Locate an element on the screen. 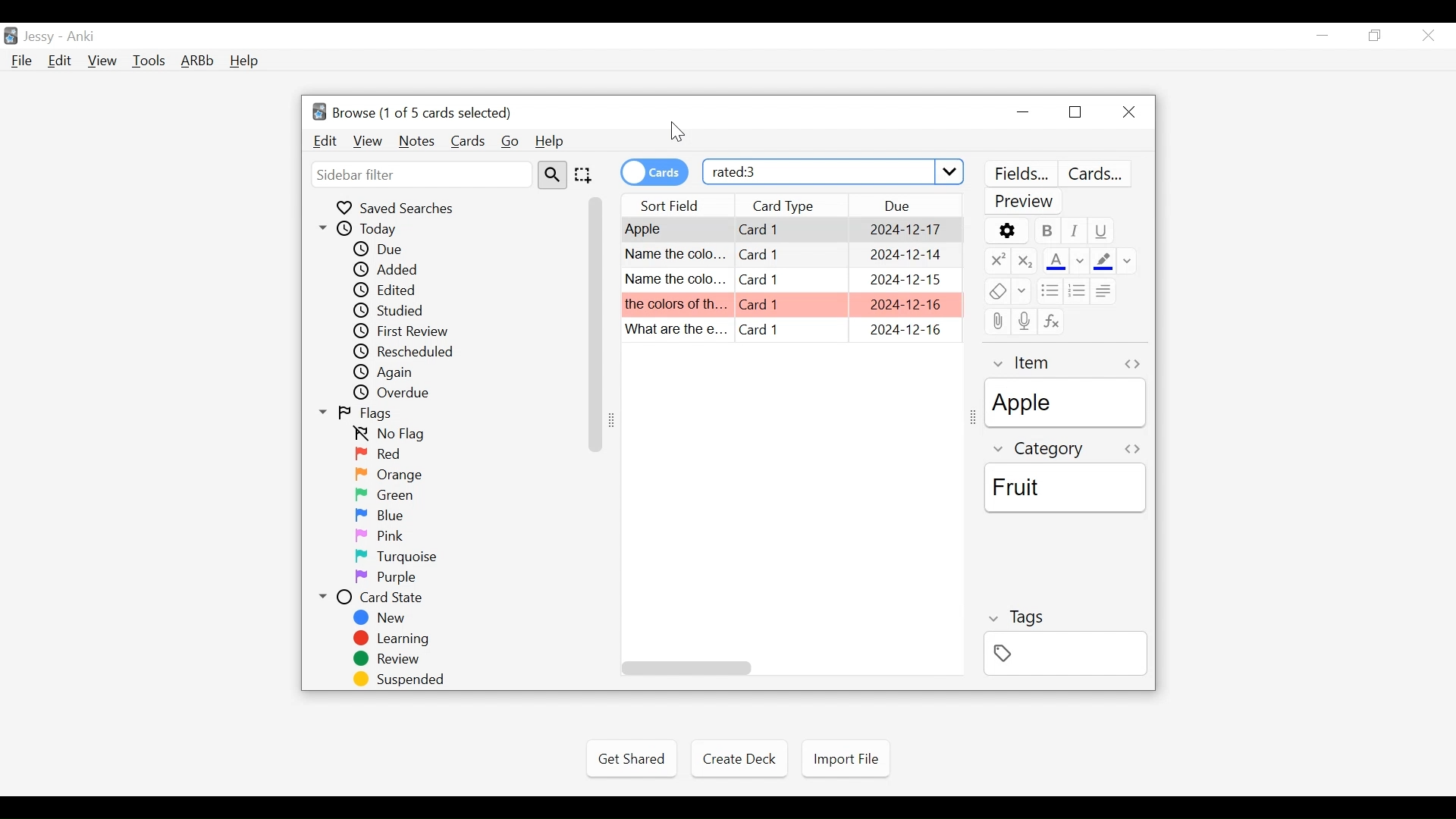 This screenshot has width=1456, height=819. Sidebar Filter is located at coordinates (422, 175).